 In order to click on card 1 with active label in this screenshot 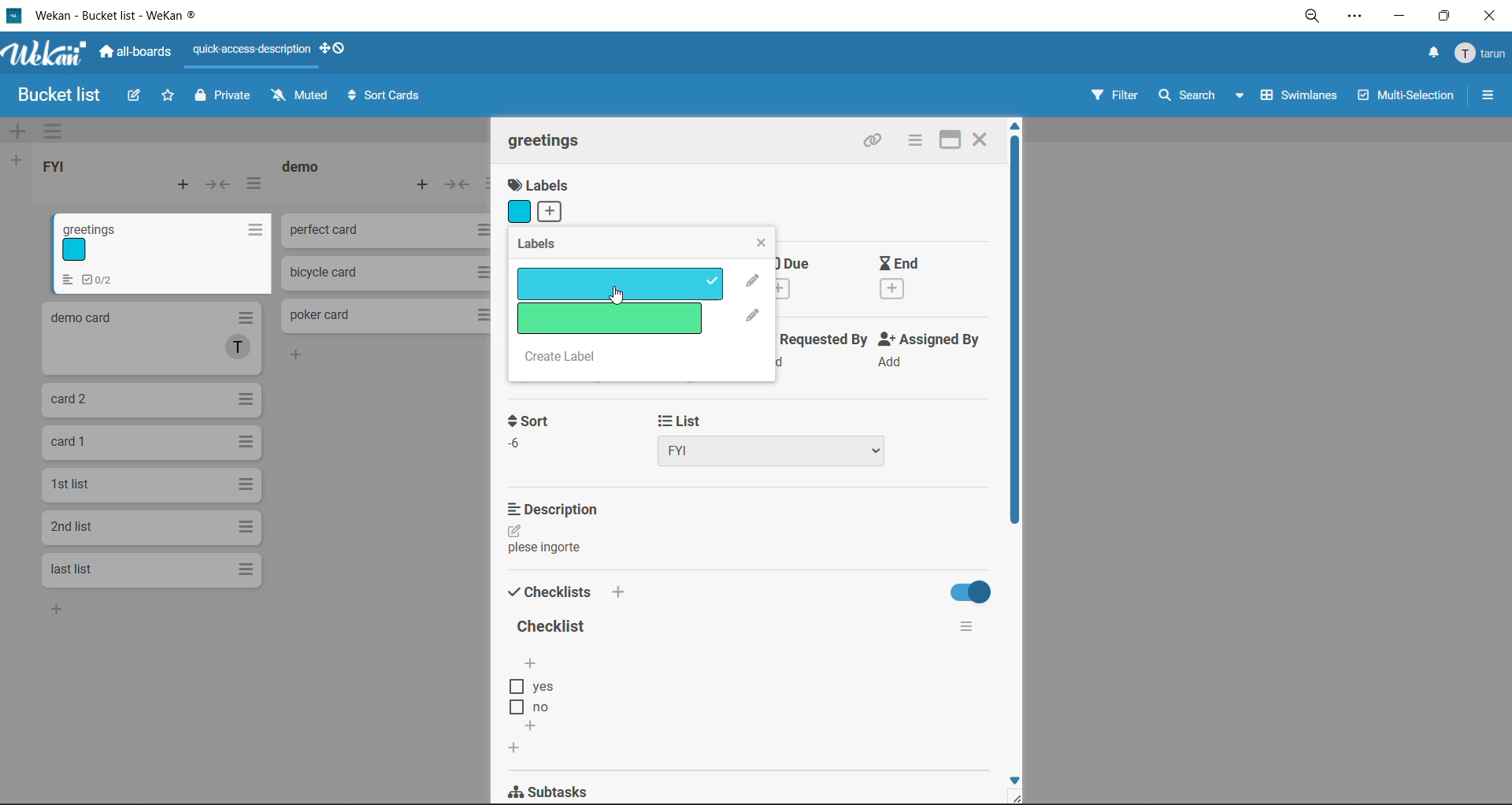, I will do `click(161, 252)`.